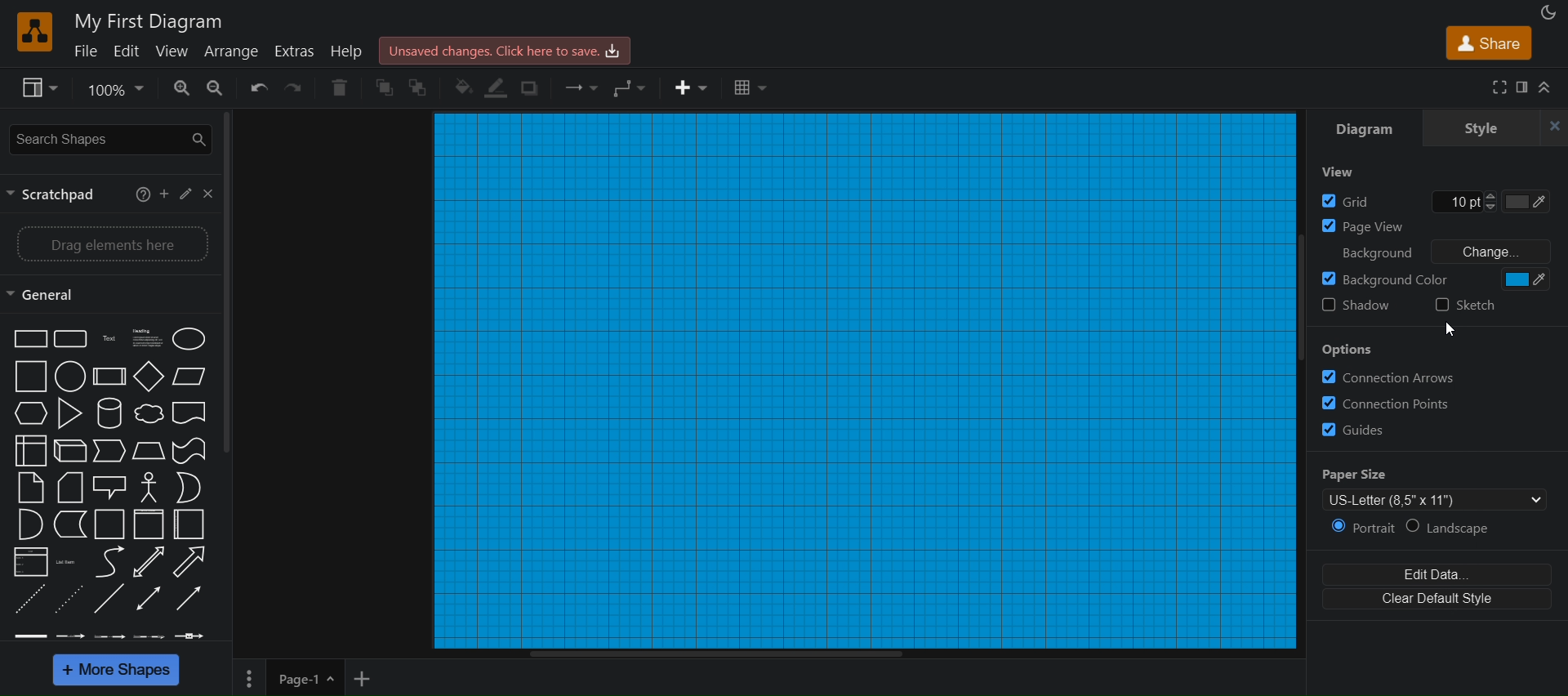 The image size is (1568, 696). Describe the element at coordinates (174, 88) in the screenshot. I see `zoom in` at that location.